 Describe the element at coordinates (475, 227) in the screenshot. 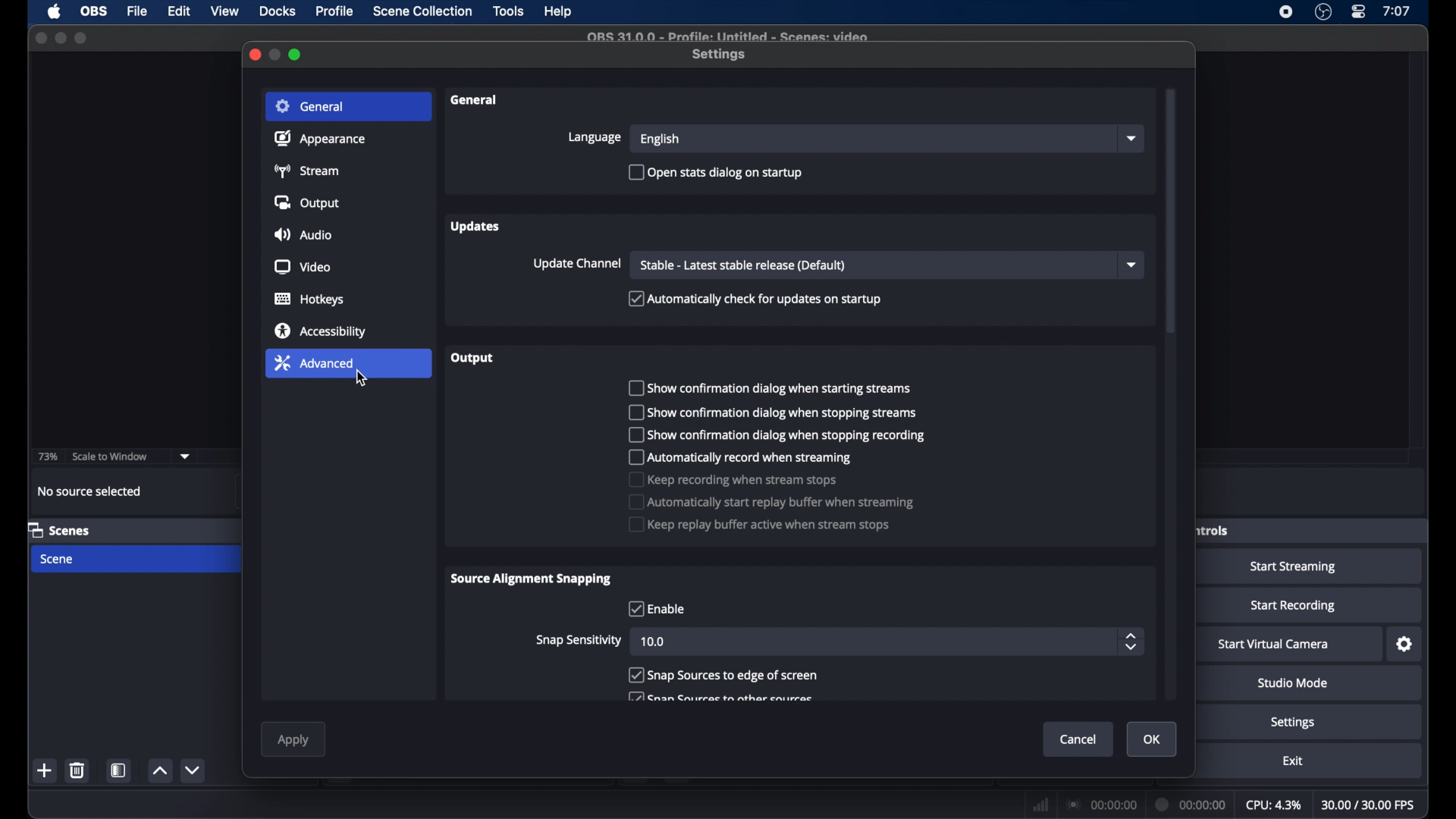

I see `updates` at that location.